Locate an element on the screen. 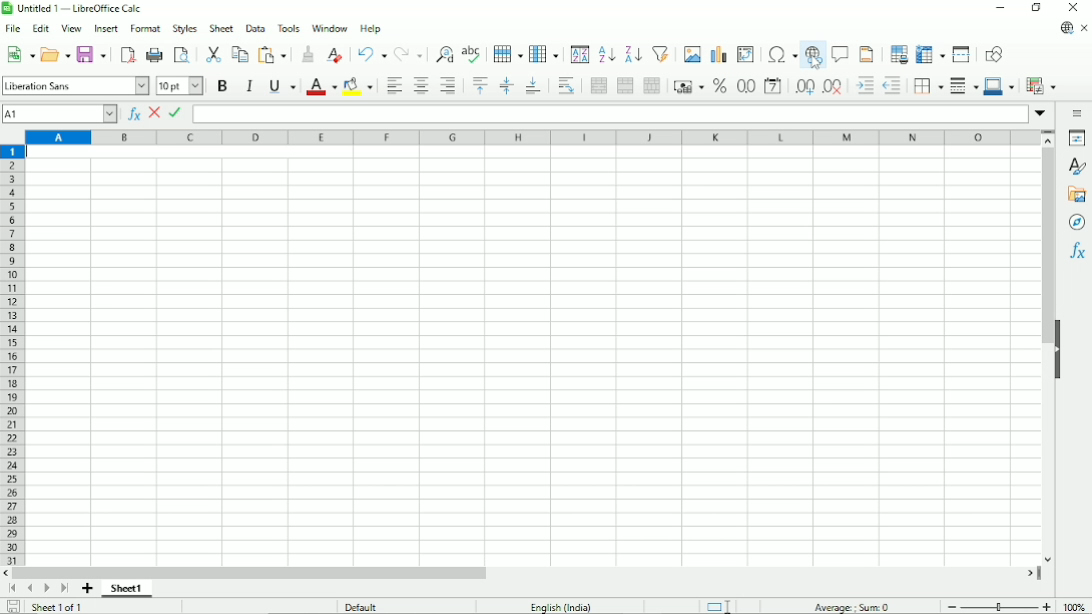  Open is located at coordinates (55, 53).